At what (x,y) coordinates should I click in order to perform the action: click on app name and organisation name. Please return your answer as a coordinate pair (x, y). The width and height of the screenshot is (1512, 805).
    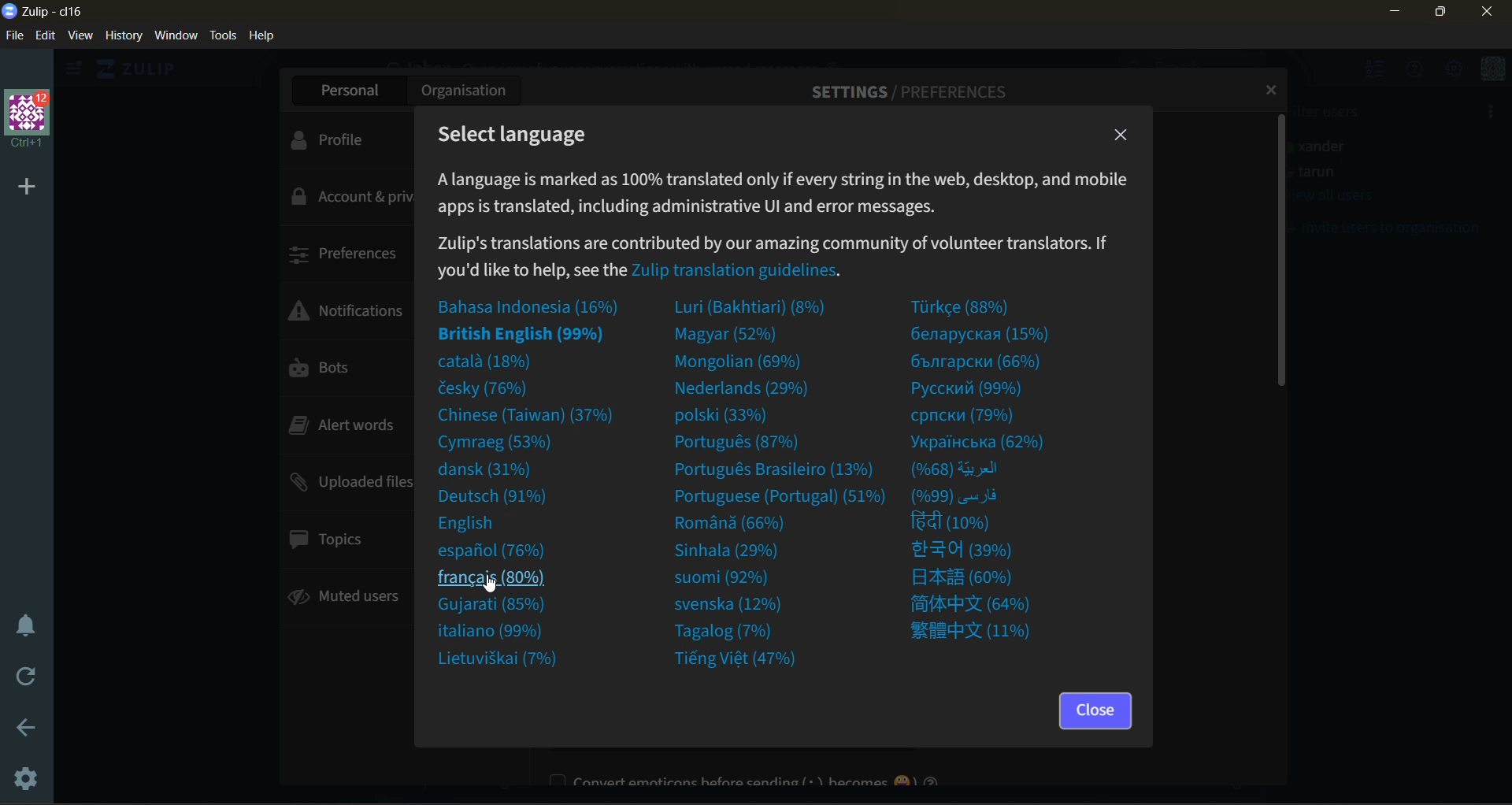
    Looking at the image, I should click on (46, 13).